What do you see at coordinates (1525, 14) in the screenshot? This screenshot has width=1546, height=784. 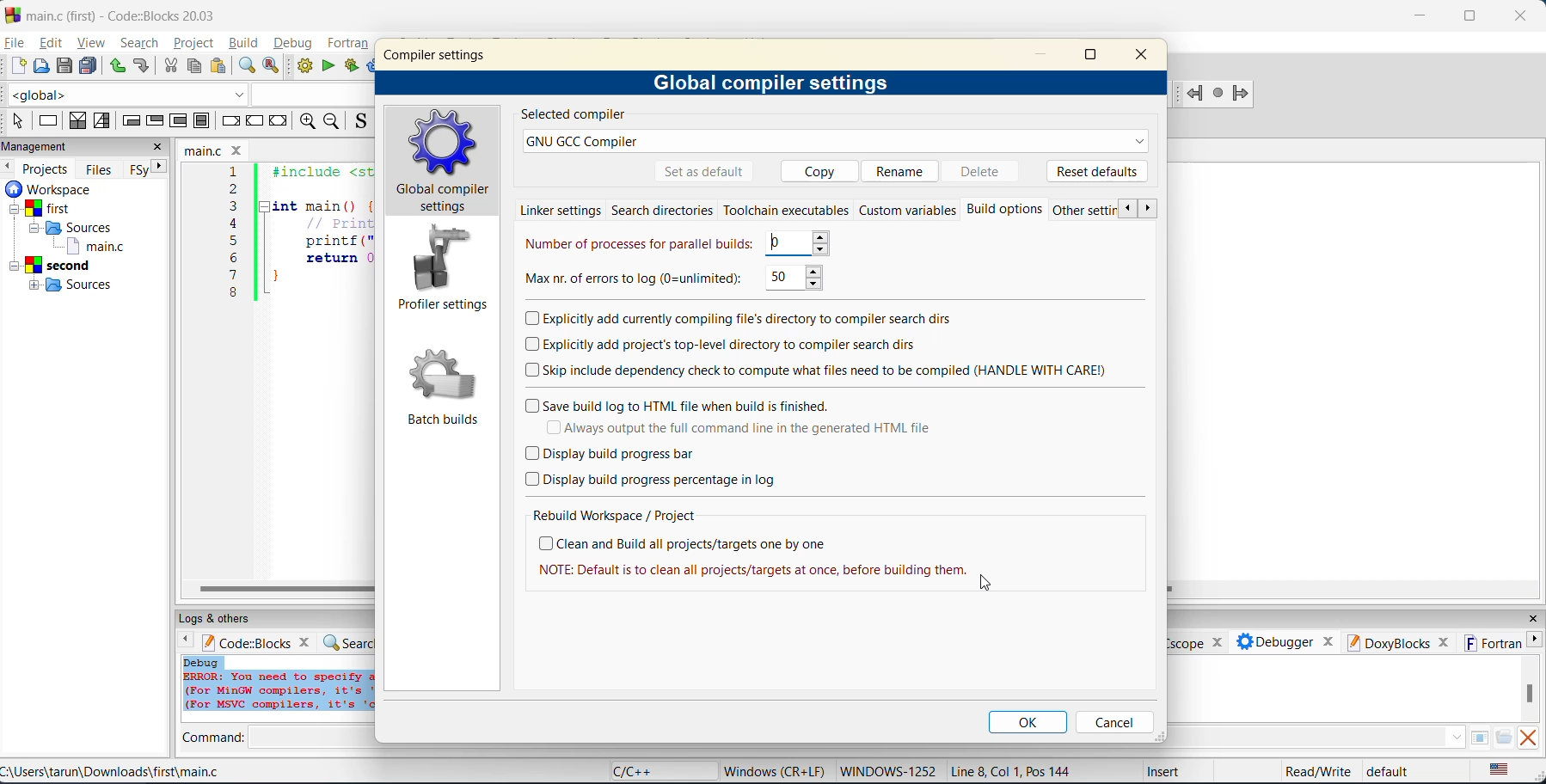 I see `close` at bounding box center [1525, 14].